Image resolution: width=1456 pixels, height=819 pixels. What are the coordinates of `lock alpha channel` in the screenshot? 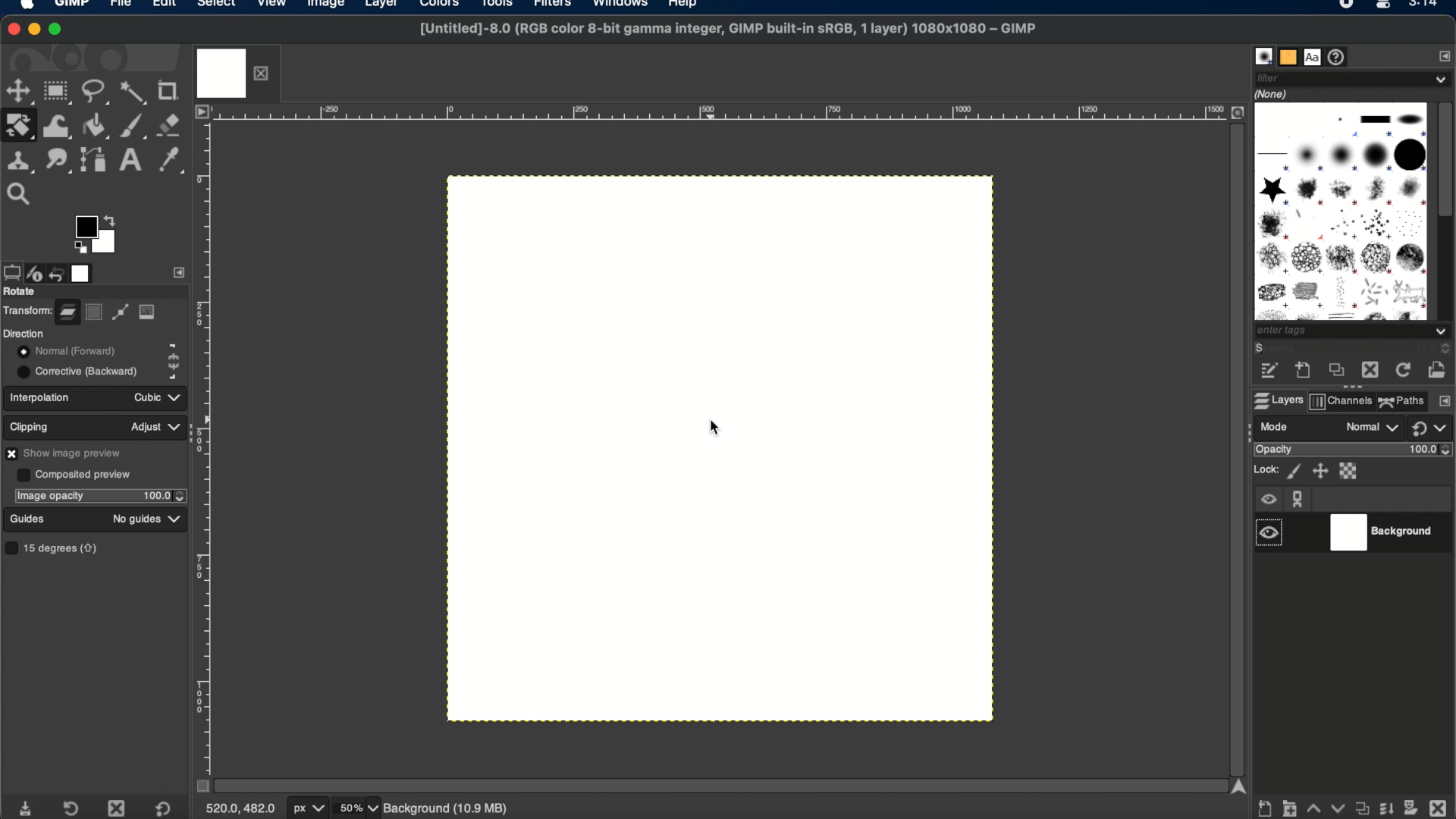 It's located at (1351, 471).